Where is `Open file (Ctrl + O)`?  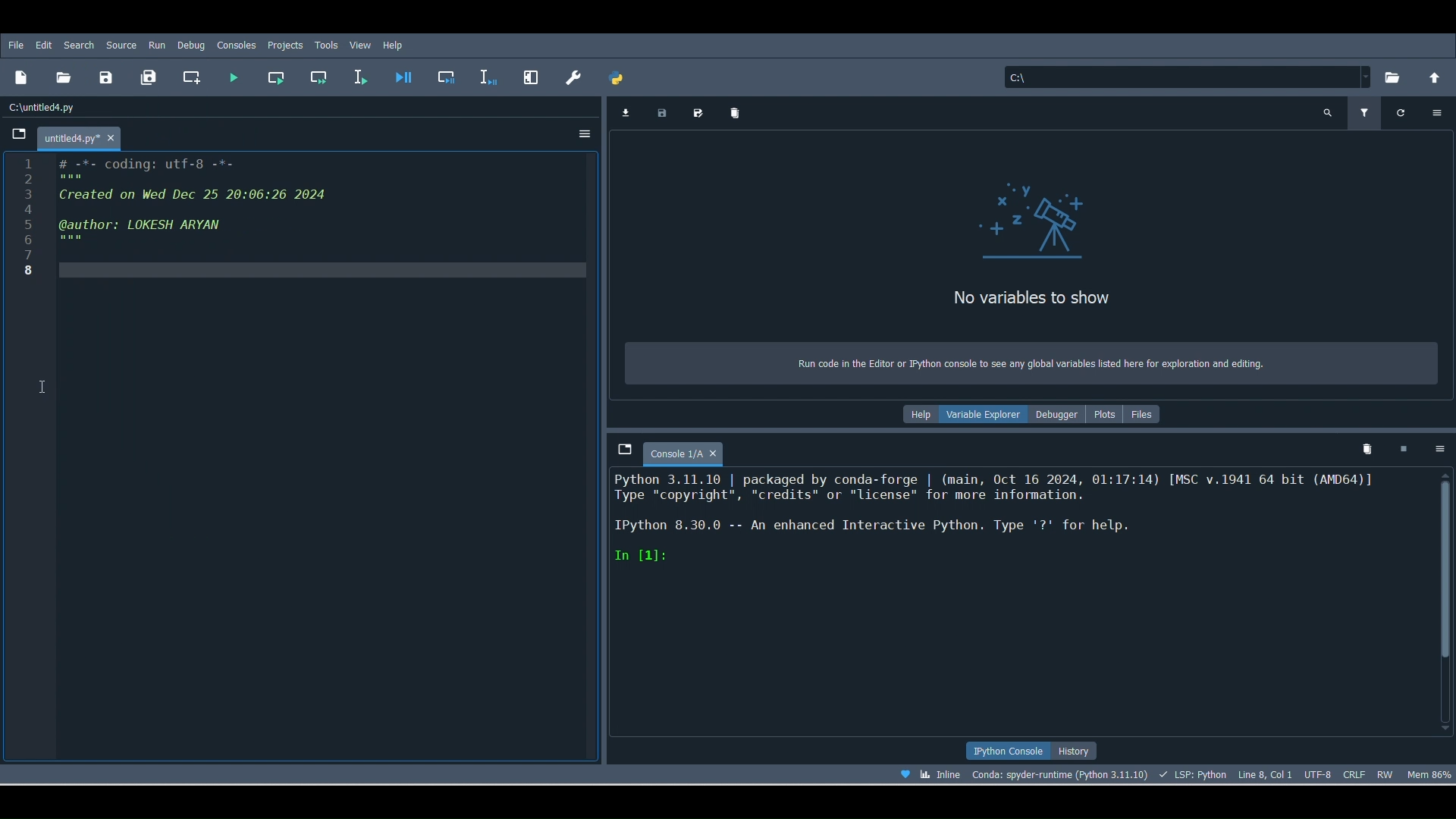
Open file (Ctrl + O) is located at coordinates (67, 79).